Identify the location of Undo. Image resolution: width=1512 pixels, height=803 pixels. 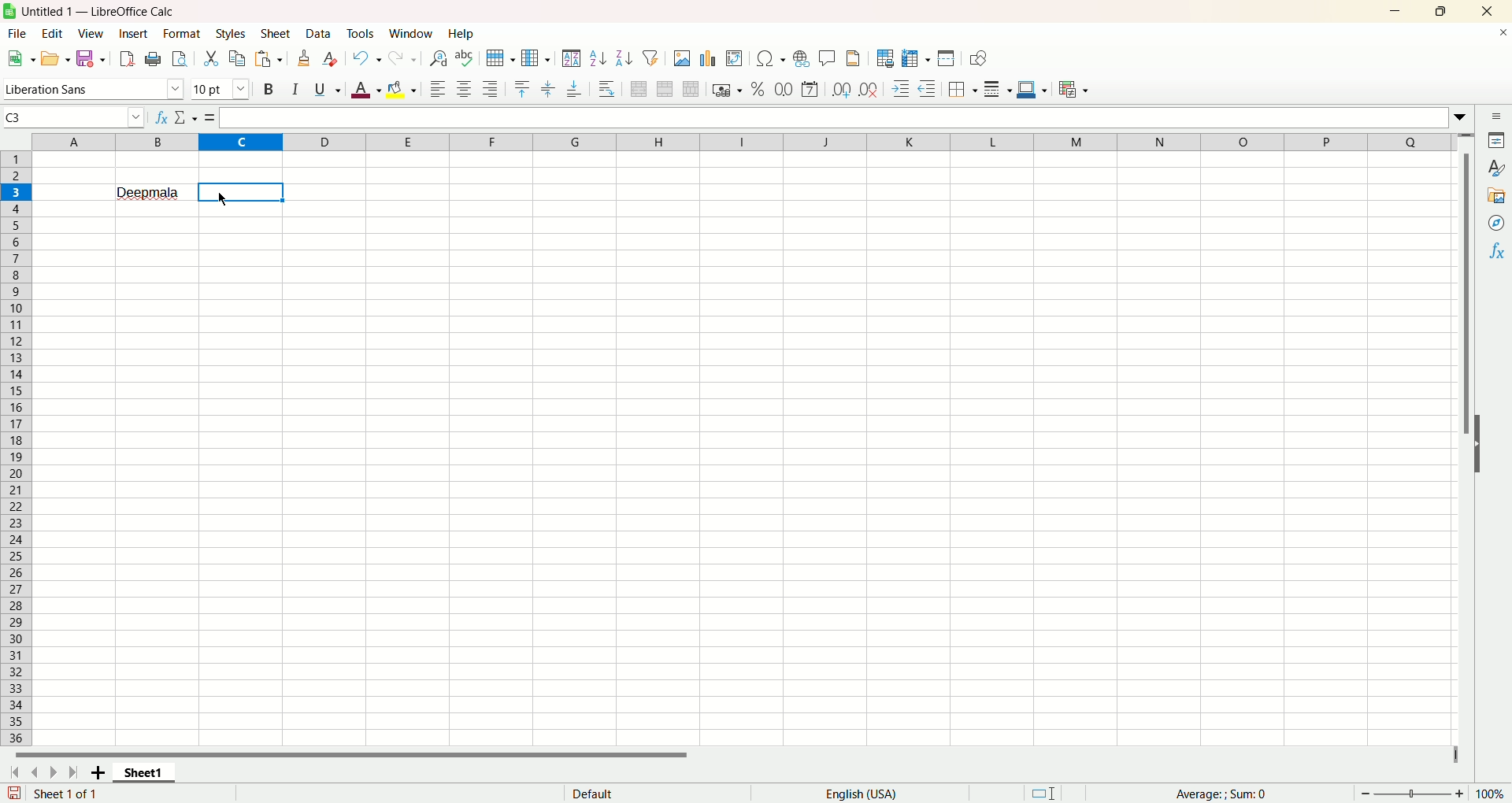
(369, 57).